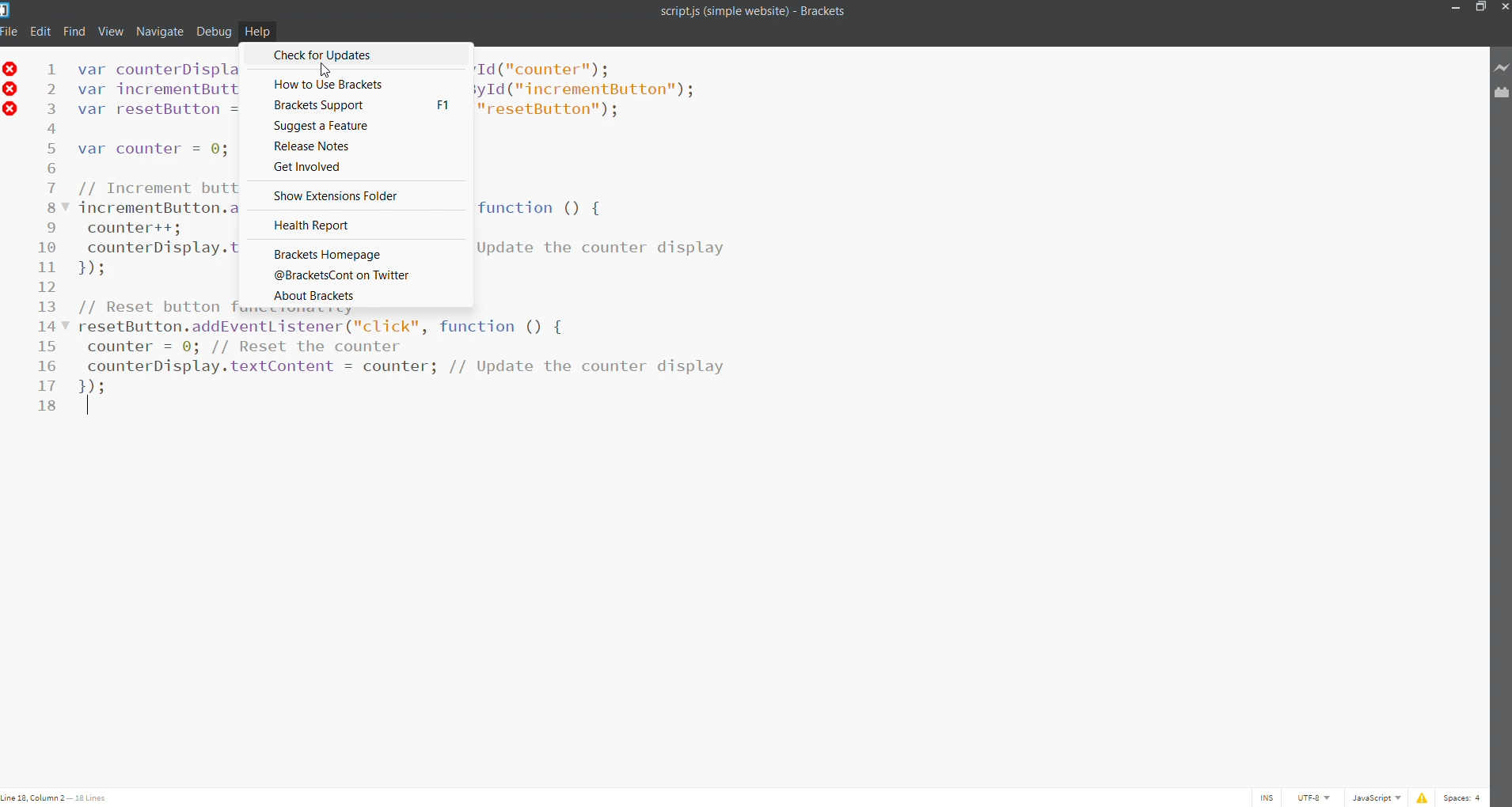  I want to click on file type, so click(1374, 798).